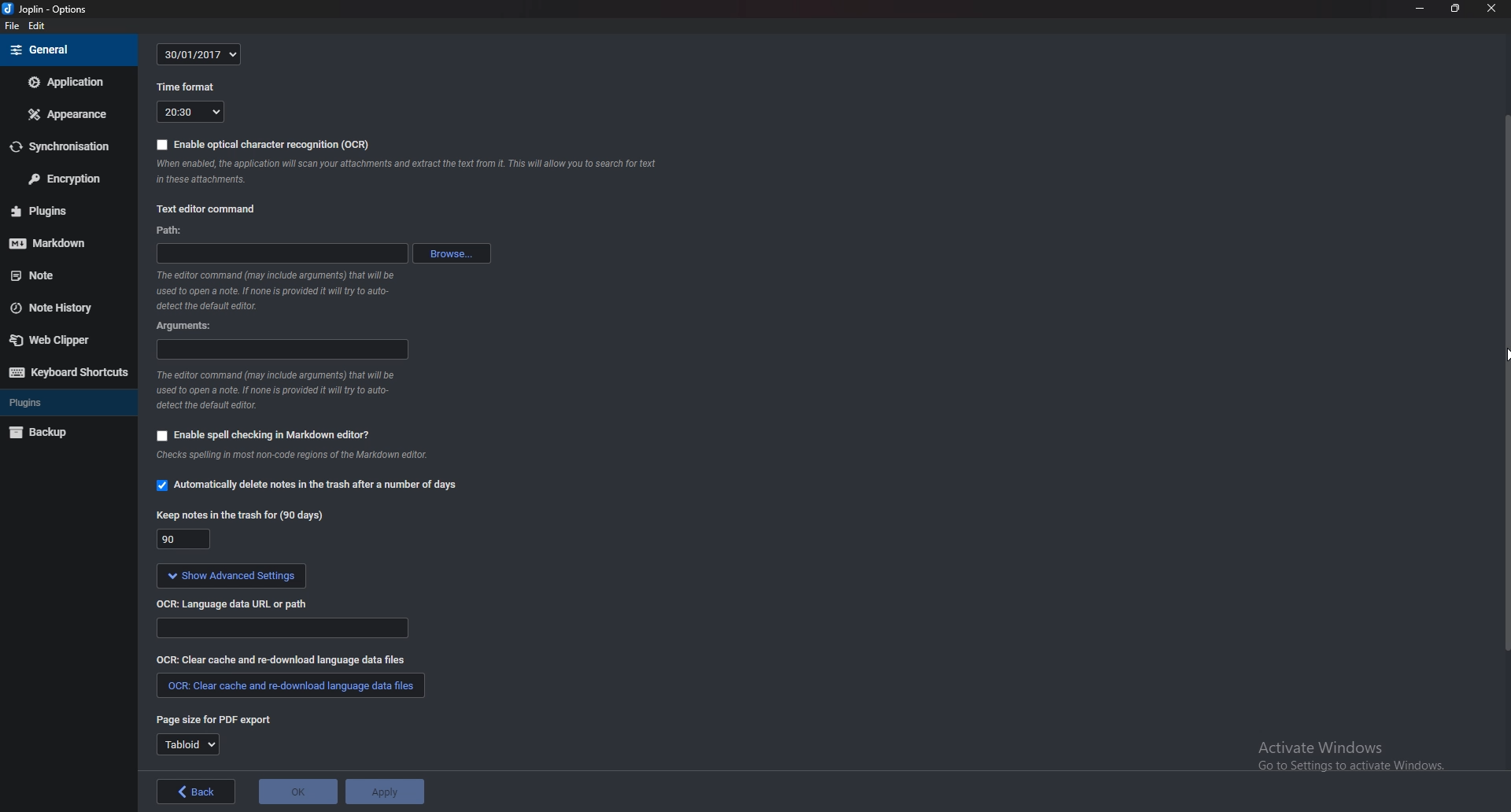 The height and width of the screenshot is (812, 1511). I want to click on Keyboard shortcuts, so click(68, 372).